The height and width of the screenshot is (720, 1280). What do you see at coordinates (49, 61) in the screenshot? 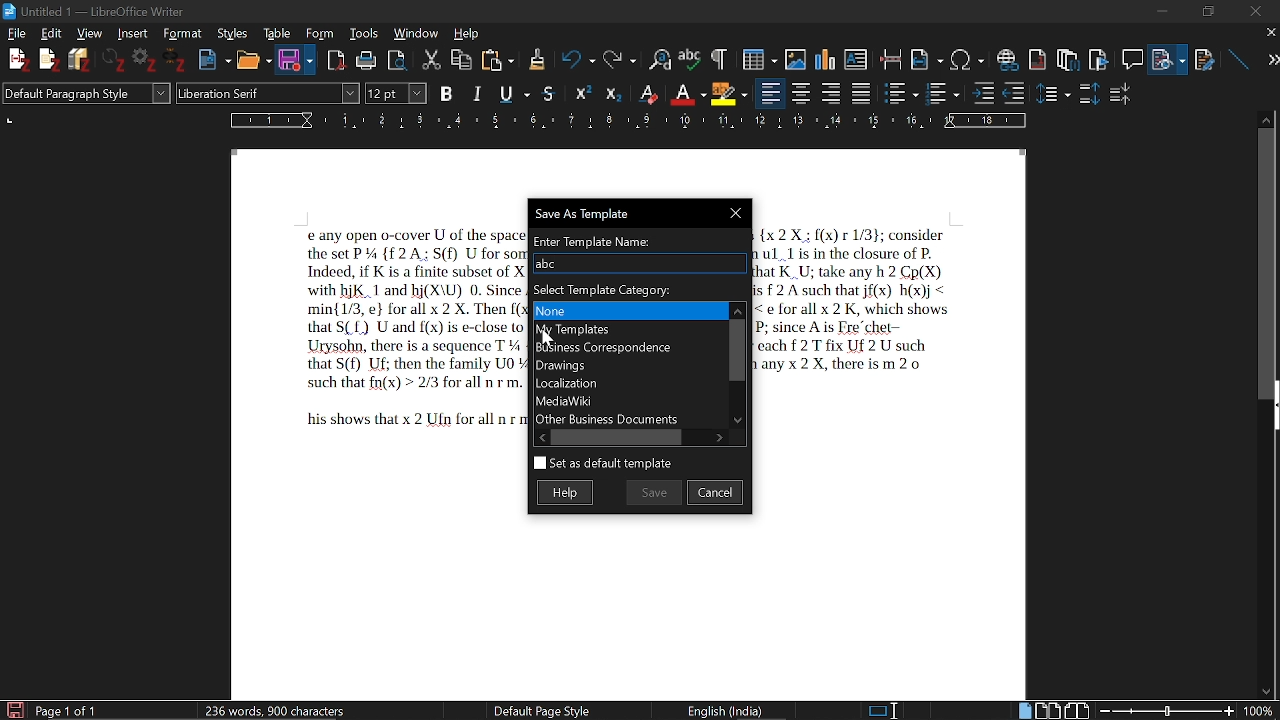
I see `` at bounding box center [49, 61].